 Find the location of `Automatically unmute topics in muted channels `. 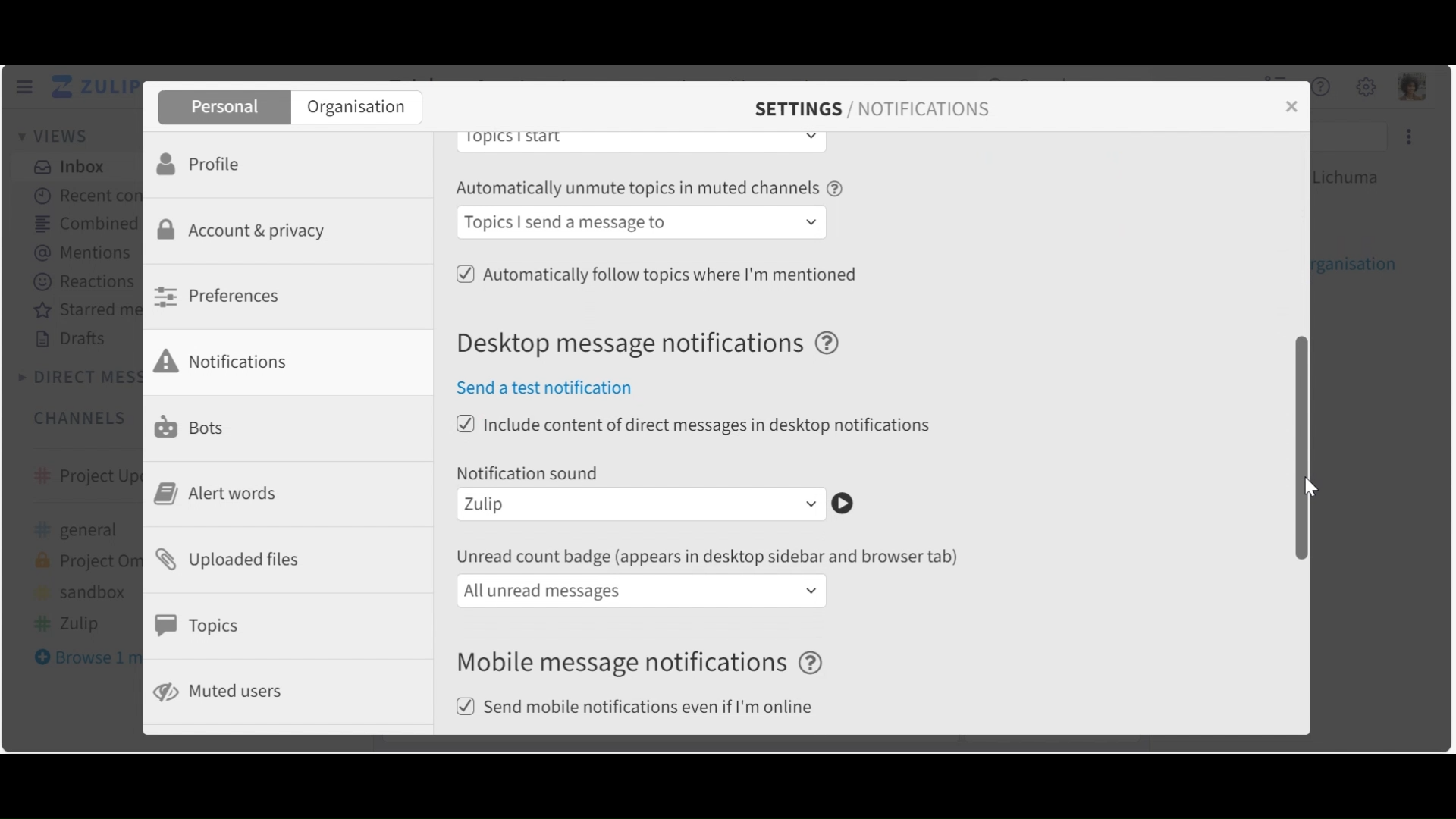

Automatically unmute topics in muted channels  is located at coordinates (651, 190).